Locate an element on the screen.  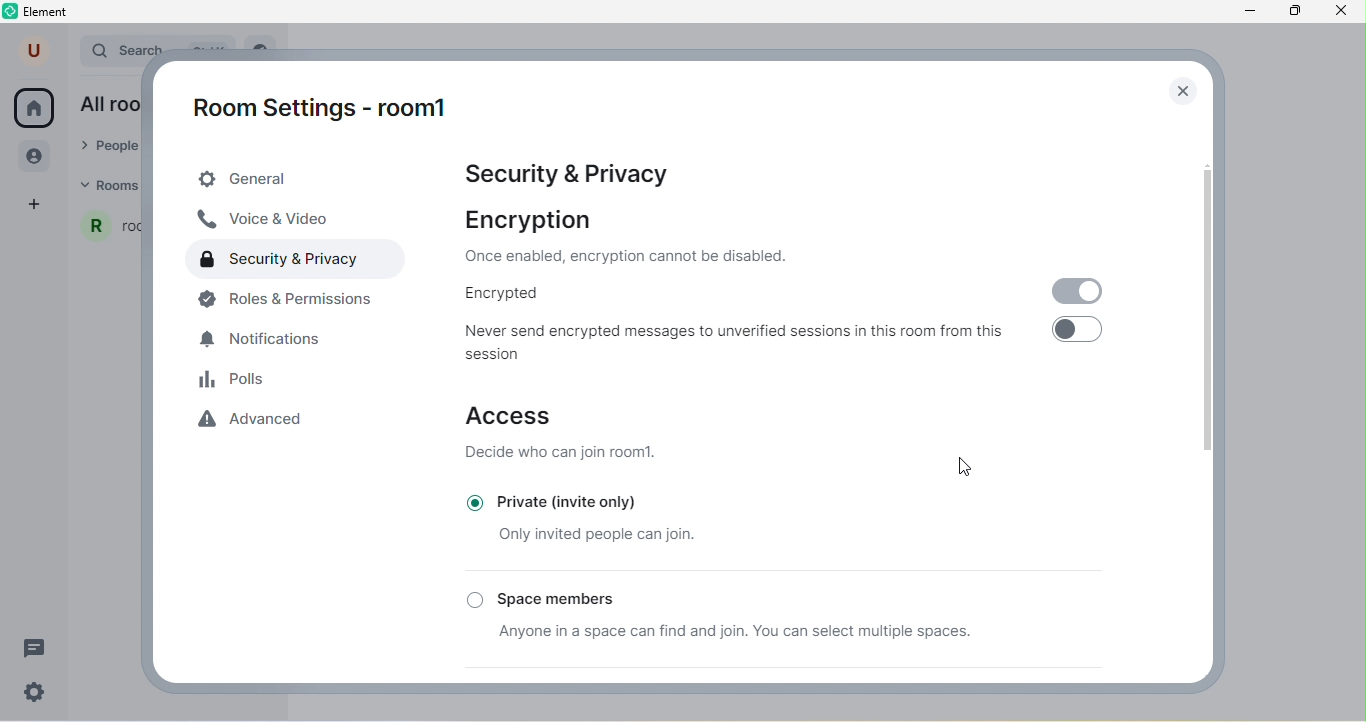
minimize is located at coordinates (1249, 13).